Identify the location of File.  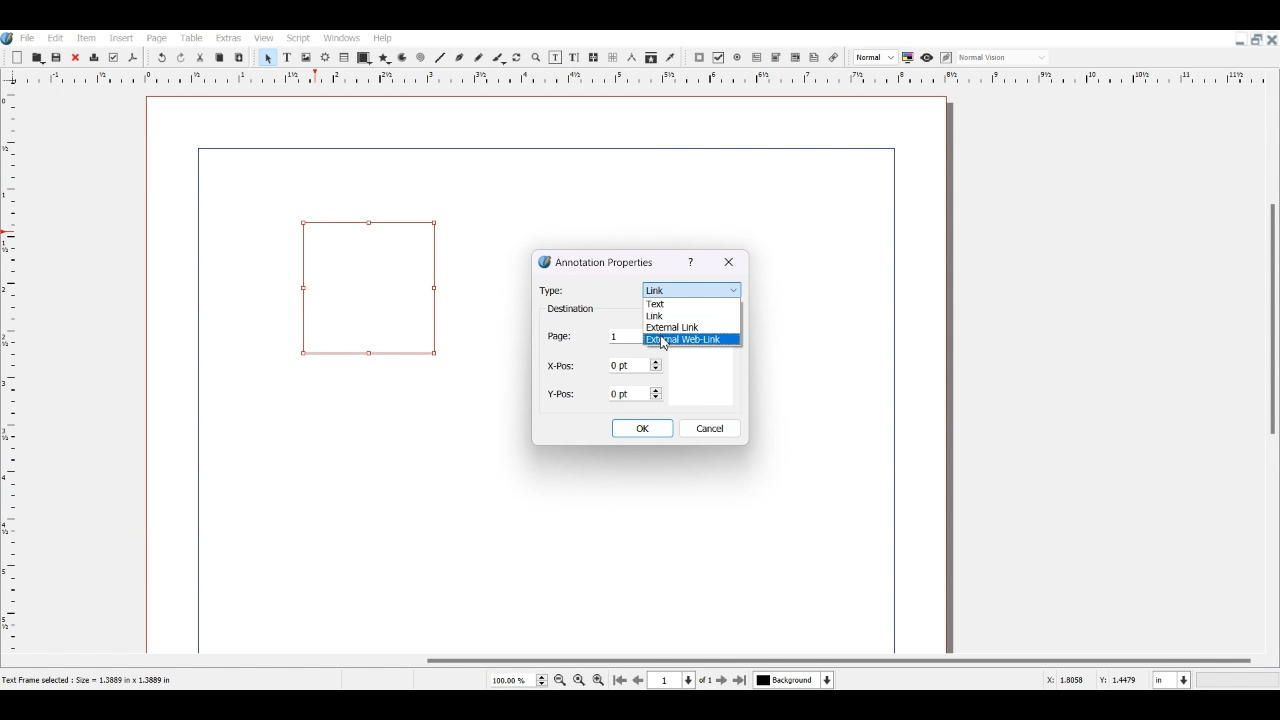
(29, 37).